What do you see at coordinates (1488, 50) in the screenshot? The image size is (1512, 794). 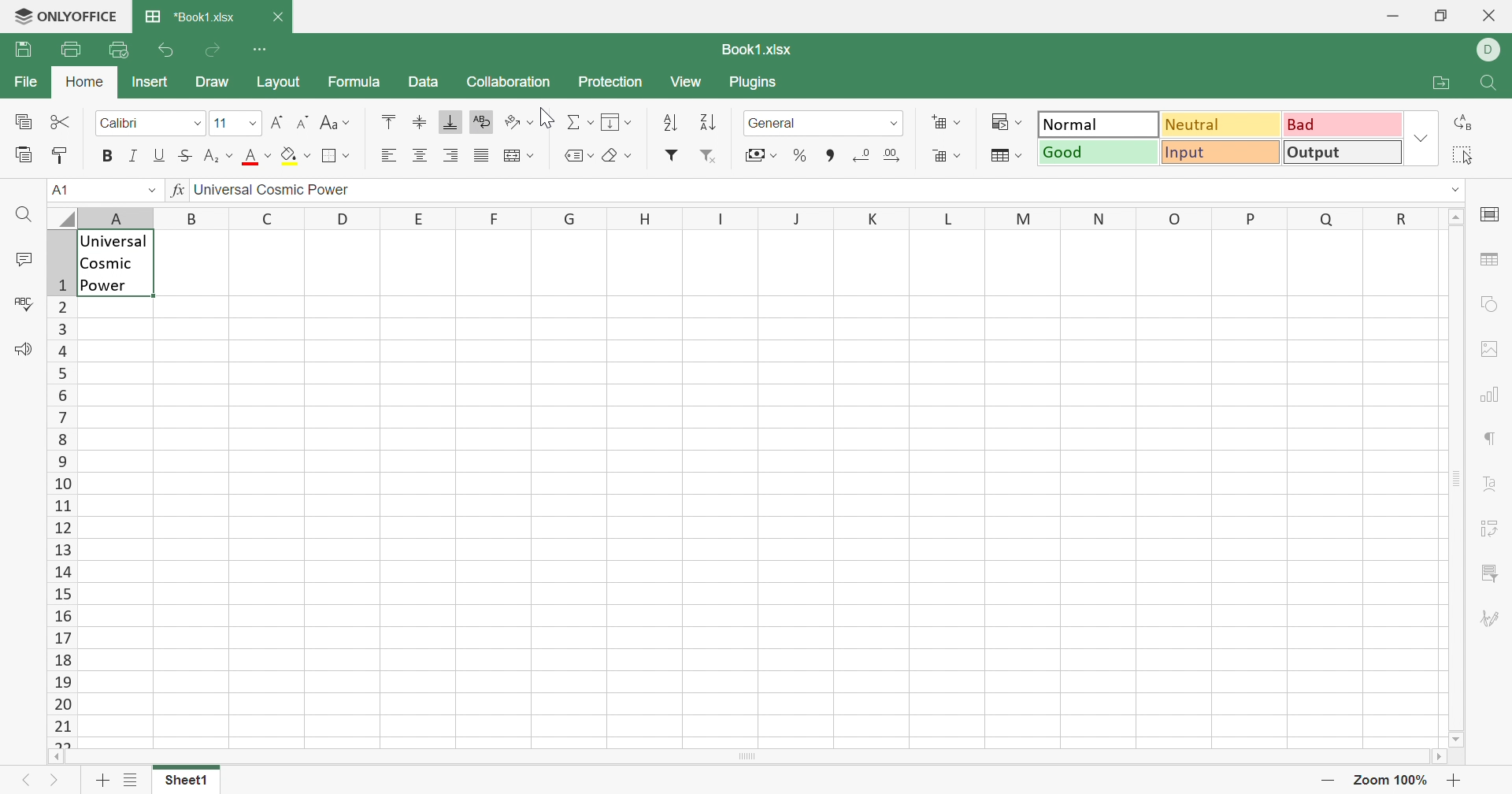 I see `DELL` at bounding box center [1488, 50].